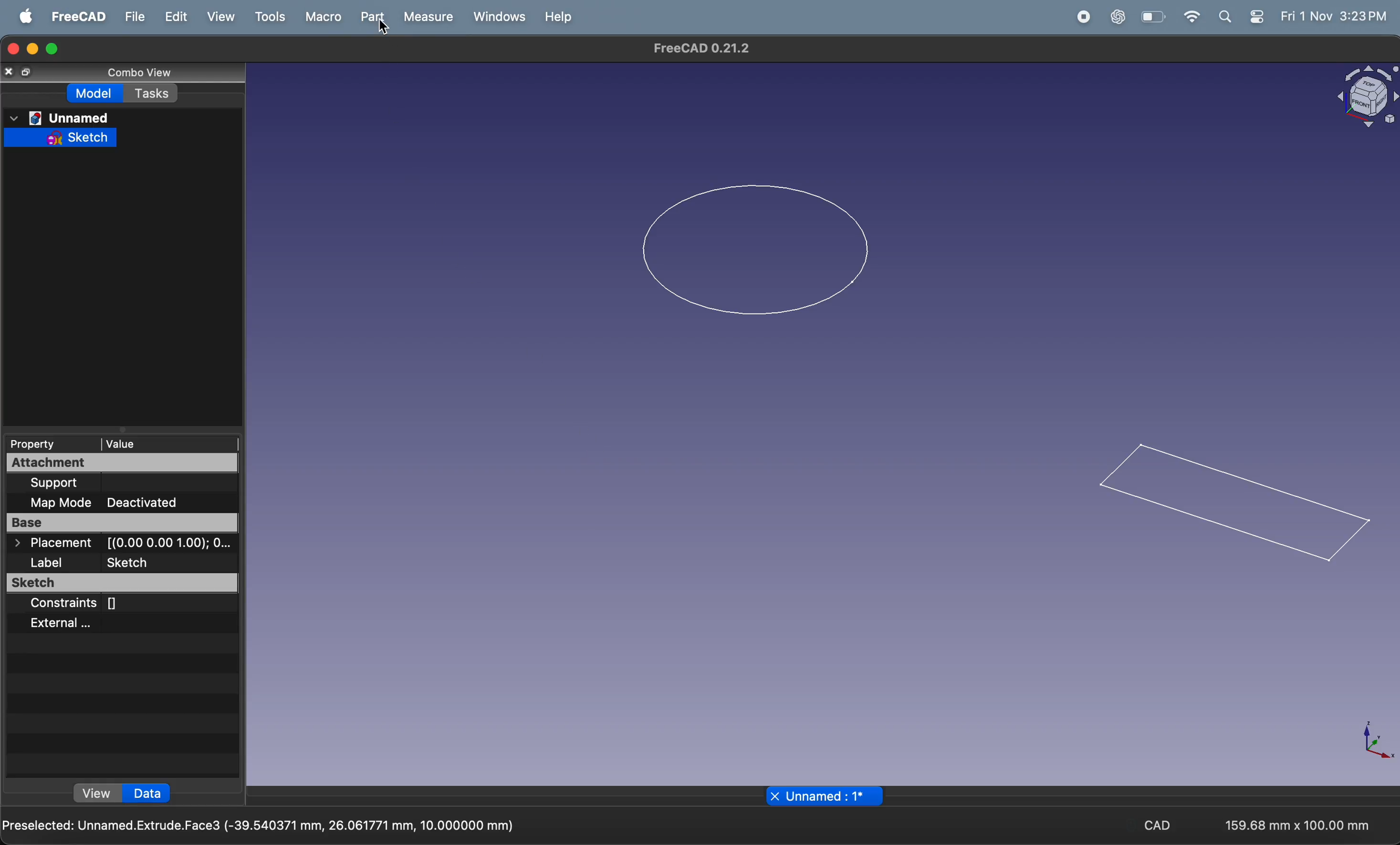 This screenshot has width=1400, height=845. I want to click on Marco, so click(322, 16).